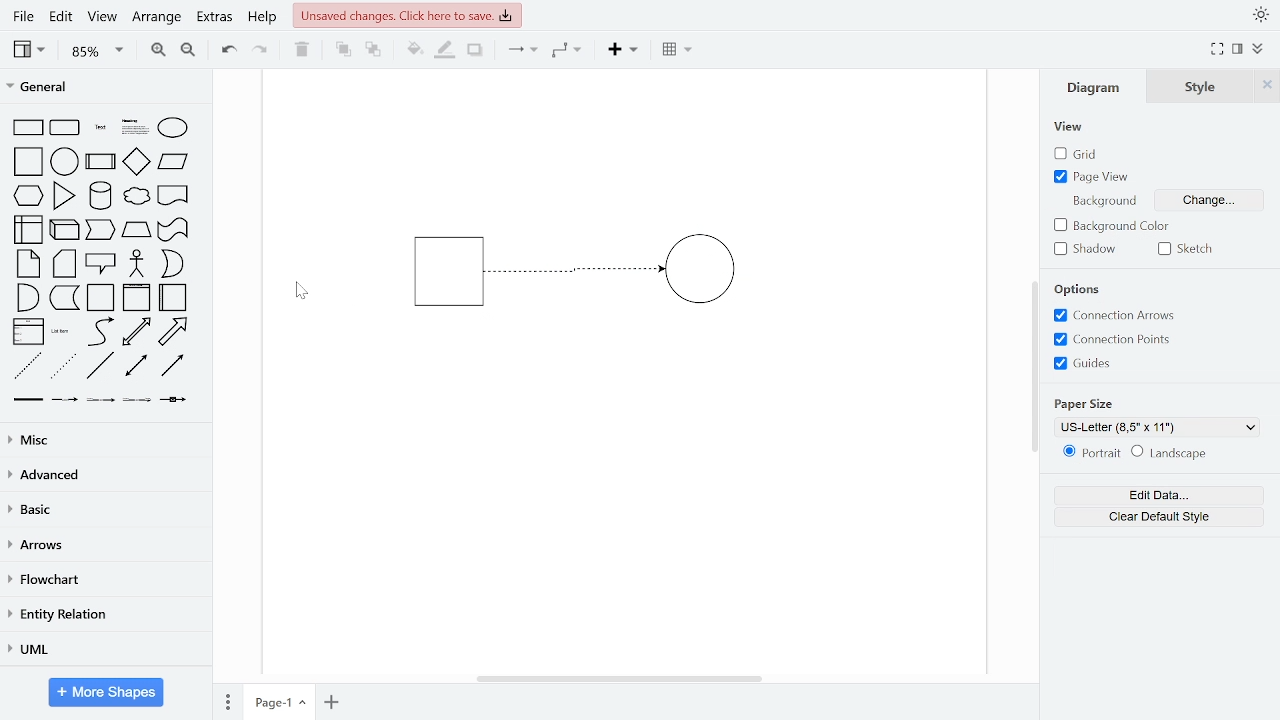  I want to click on more shapes, so click(107, 694).